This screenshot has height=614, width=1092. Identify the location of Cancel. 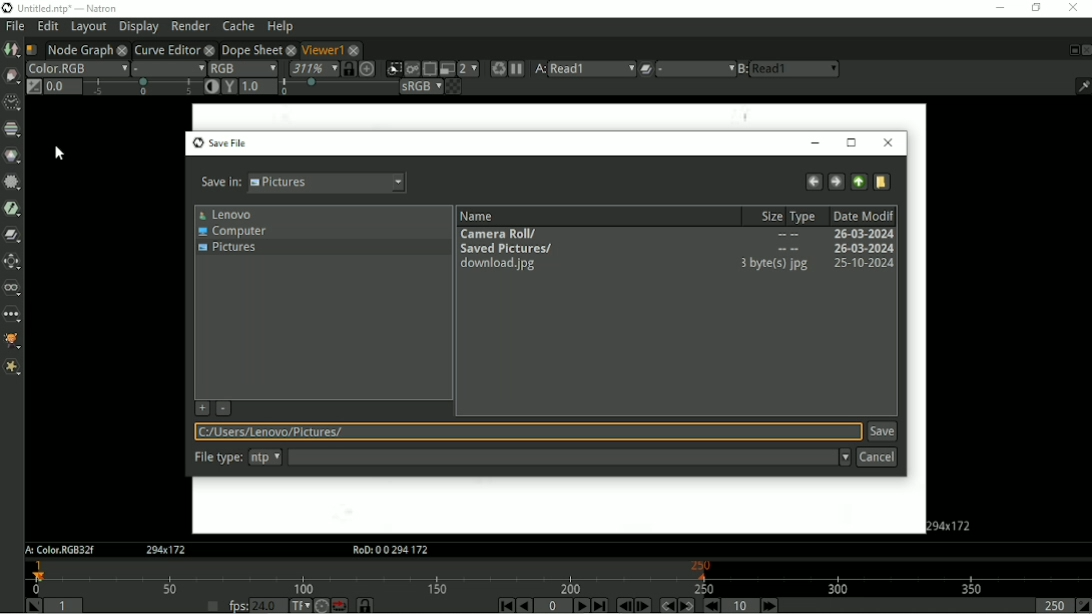
(878, 457).